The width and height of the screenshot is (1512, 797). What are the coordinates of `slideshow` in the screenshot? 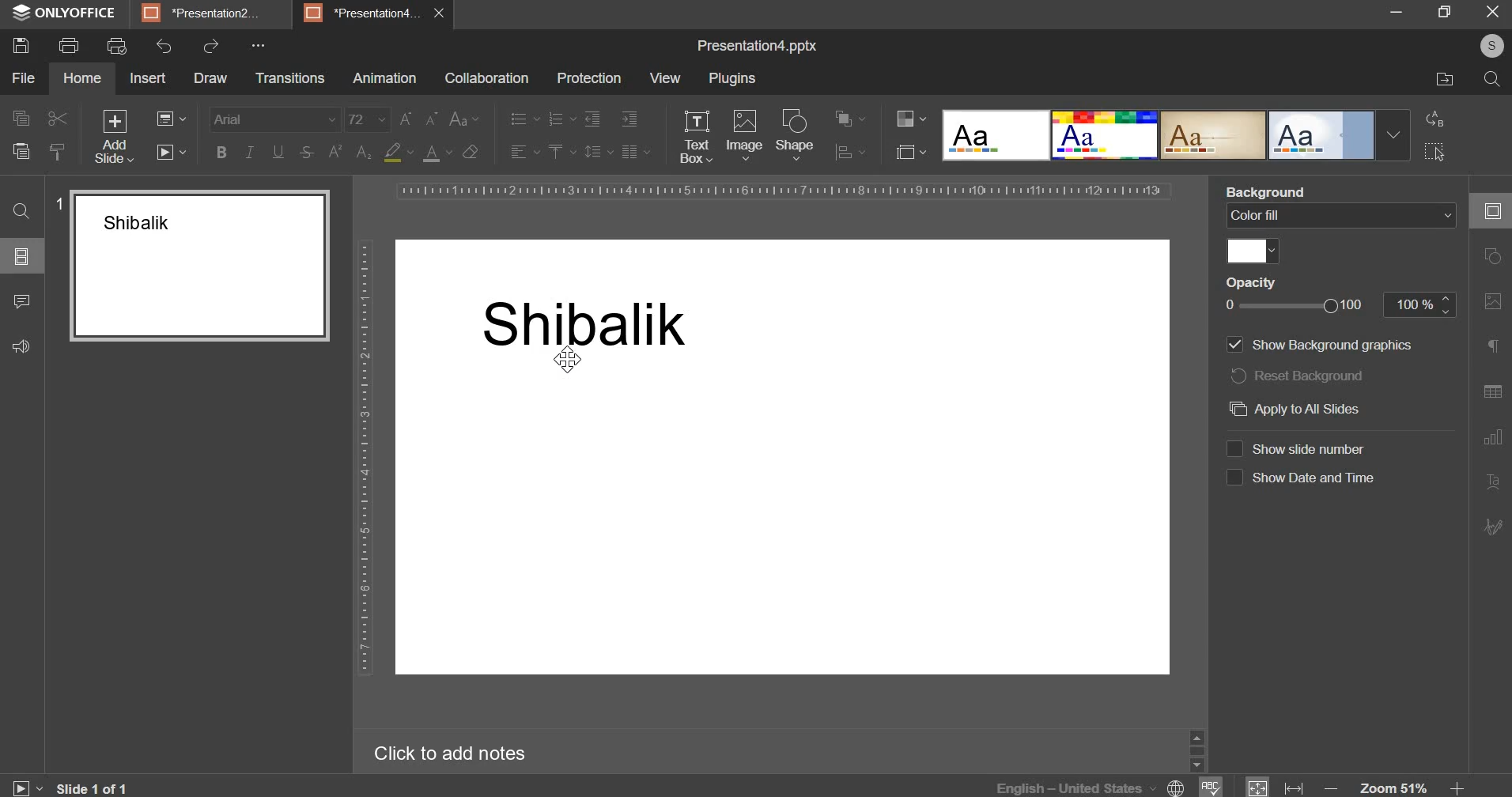 It's located at (170, 152).